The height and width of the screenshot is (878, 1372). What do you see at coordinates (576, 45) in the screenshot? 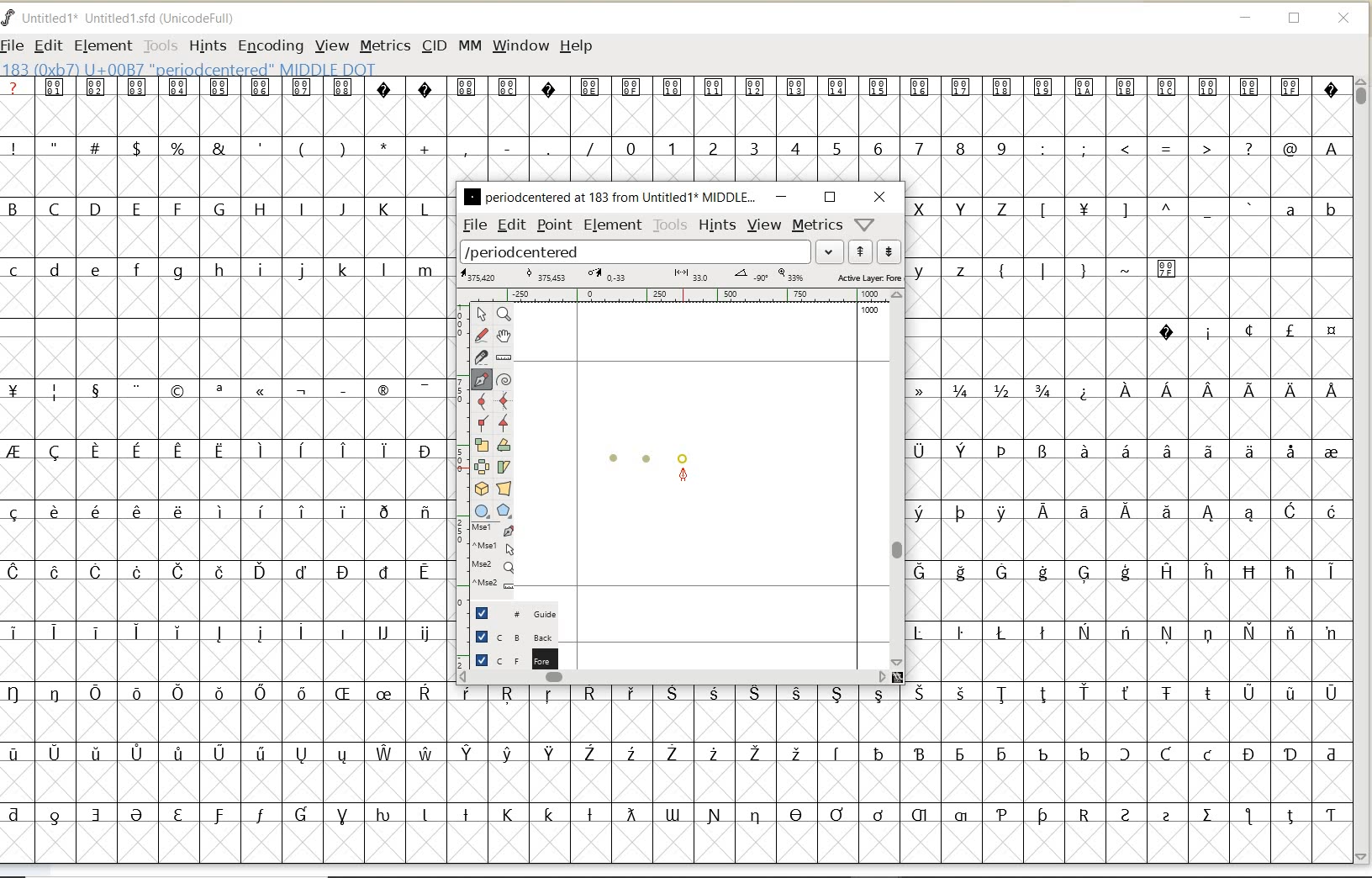
I see `HELP` at bounding box center [576, 45].